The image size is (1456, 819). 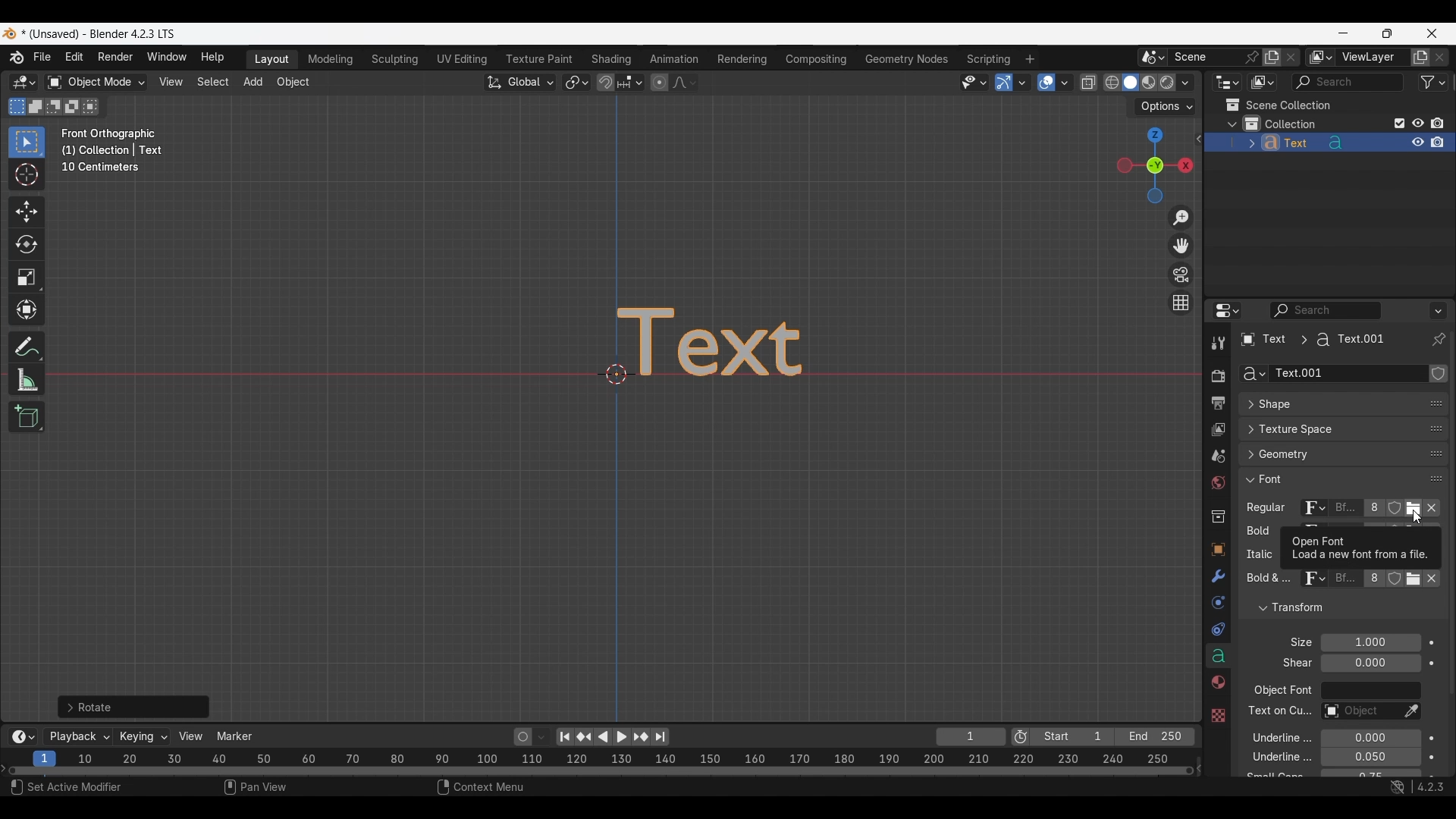 I want to click on Proportional editing falloff, so click(x=685, y=82).